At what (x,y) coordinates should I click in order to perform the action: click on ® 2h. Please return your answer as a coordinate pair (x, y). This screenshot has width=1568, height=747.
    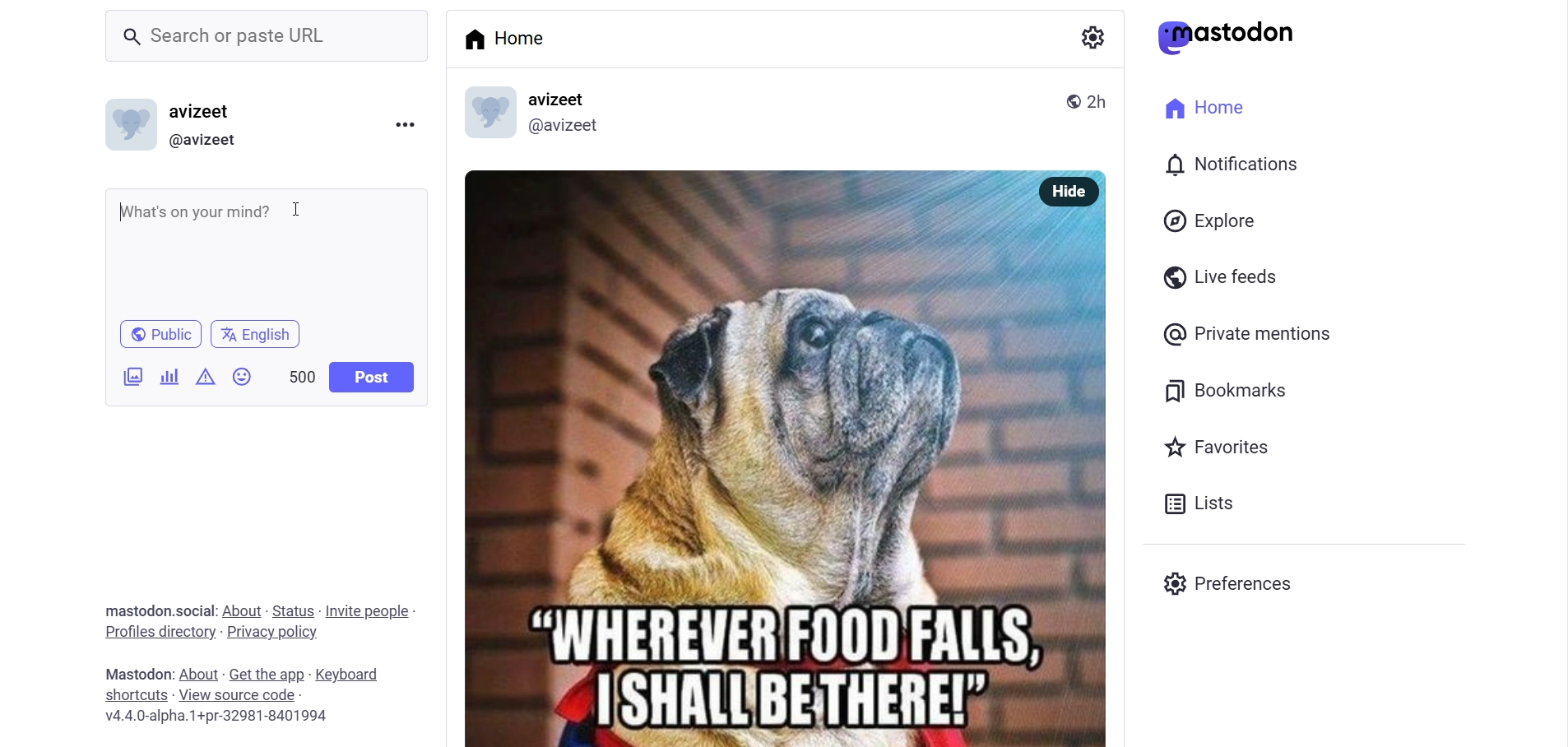
    Looking at the image, I should click on (1074, 104).